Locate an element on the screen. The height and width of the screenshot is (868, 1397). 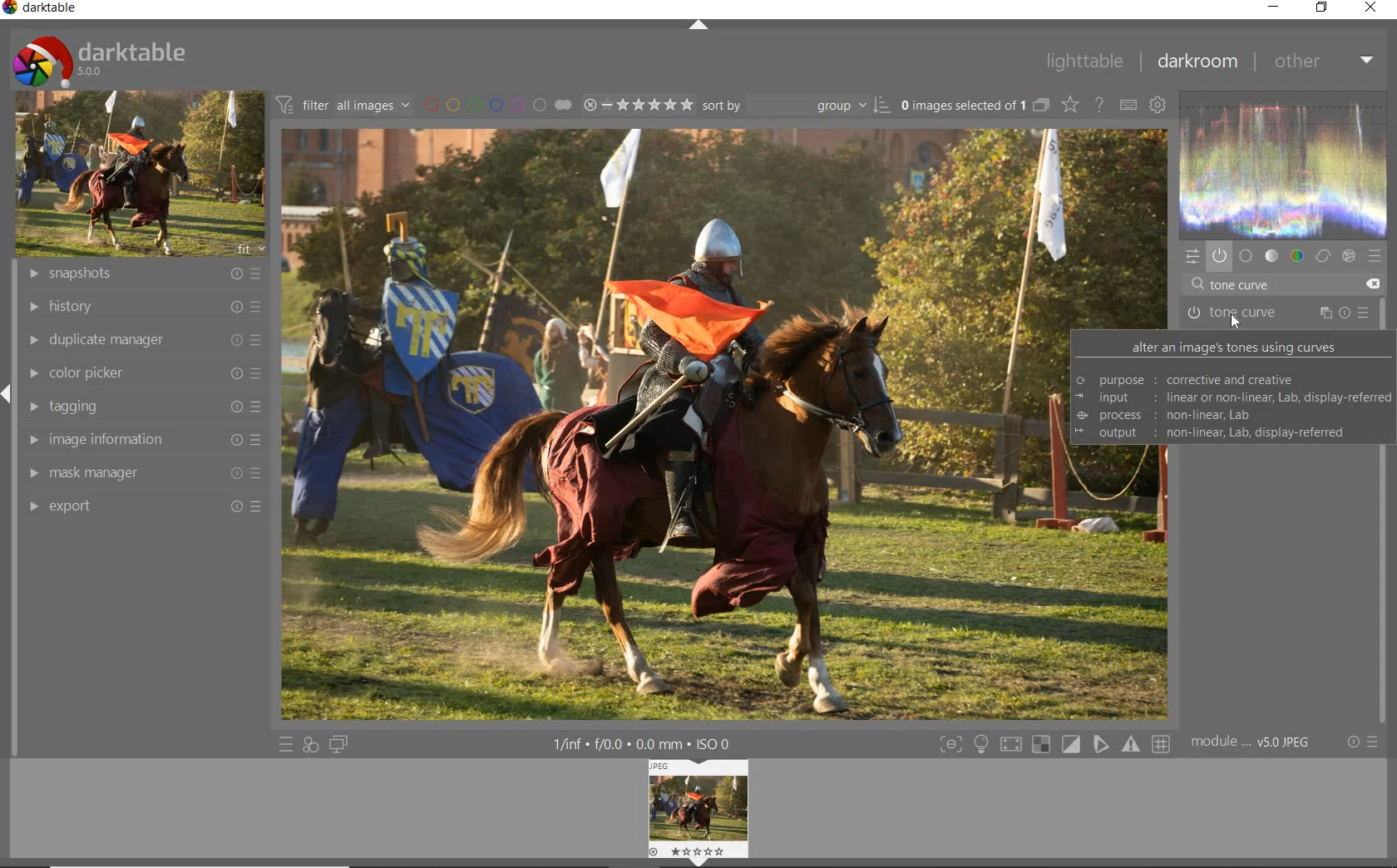
change type of overlays is located at coordinates (1072, 106).